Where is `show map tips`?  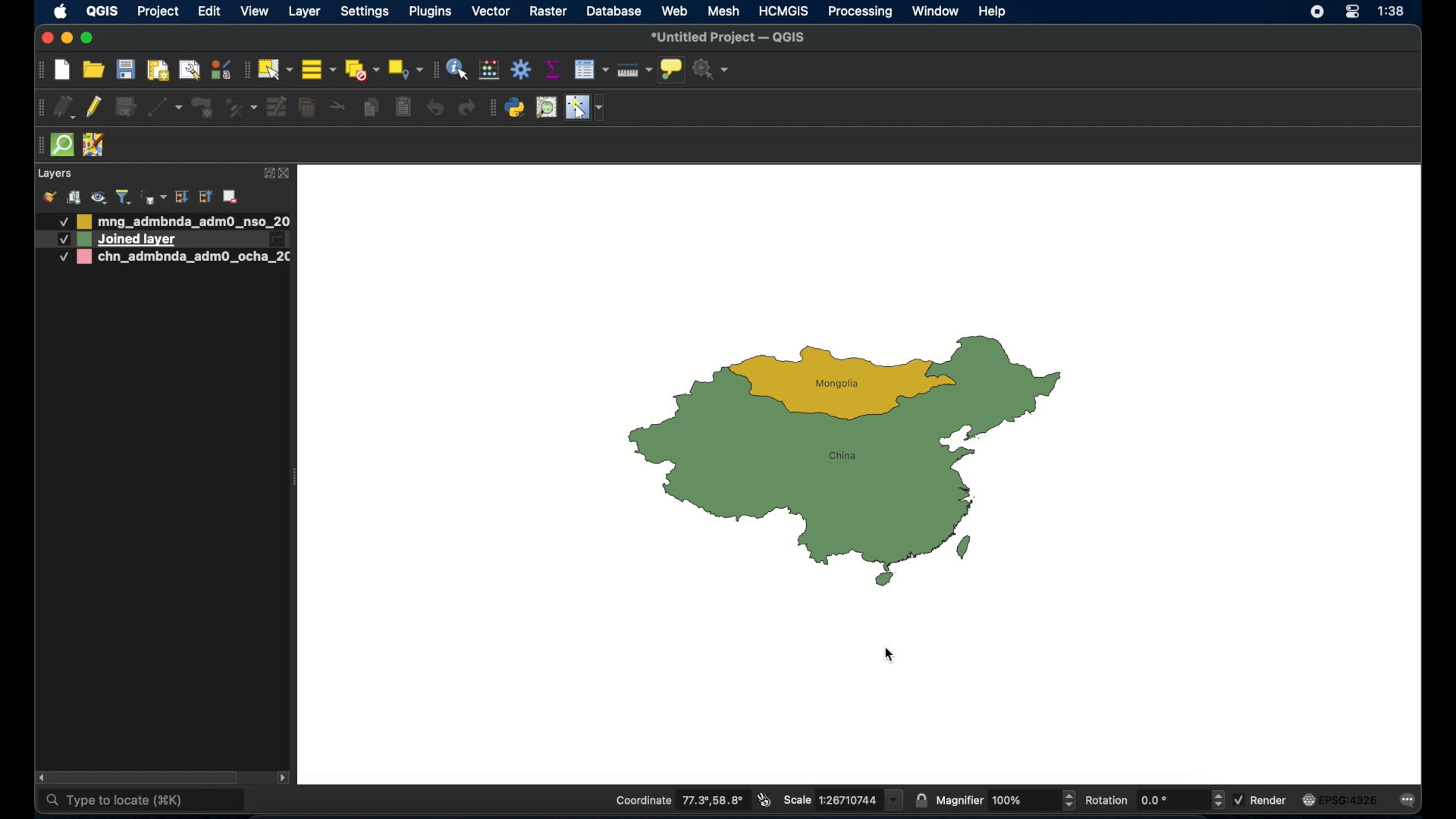 show map tips is located at coordinates (671, 69).